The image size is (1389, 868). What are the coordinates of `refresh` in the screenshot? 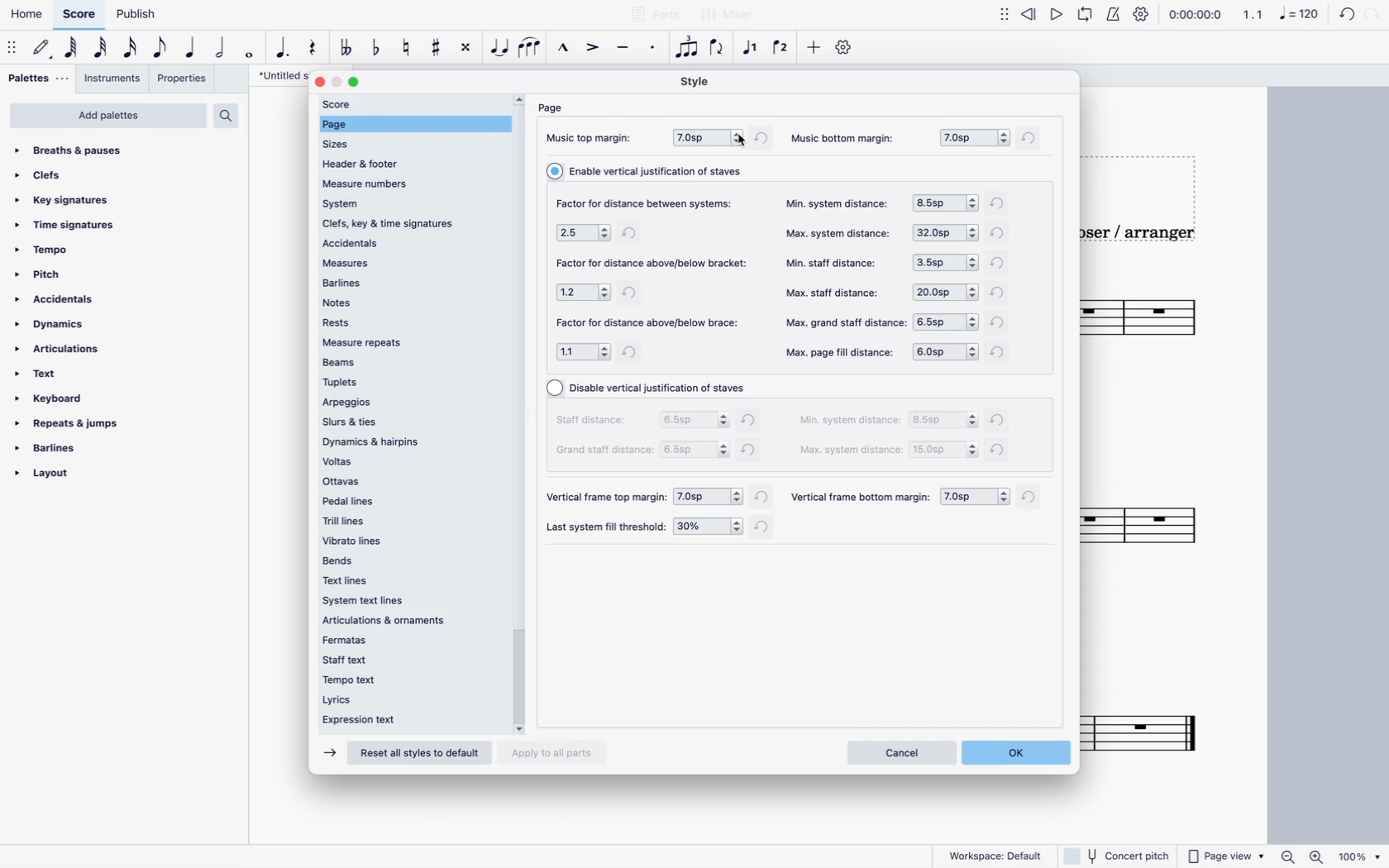 It's located at (753, 453).